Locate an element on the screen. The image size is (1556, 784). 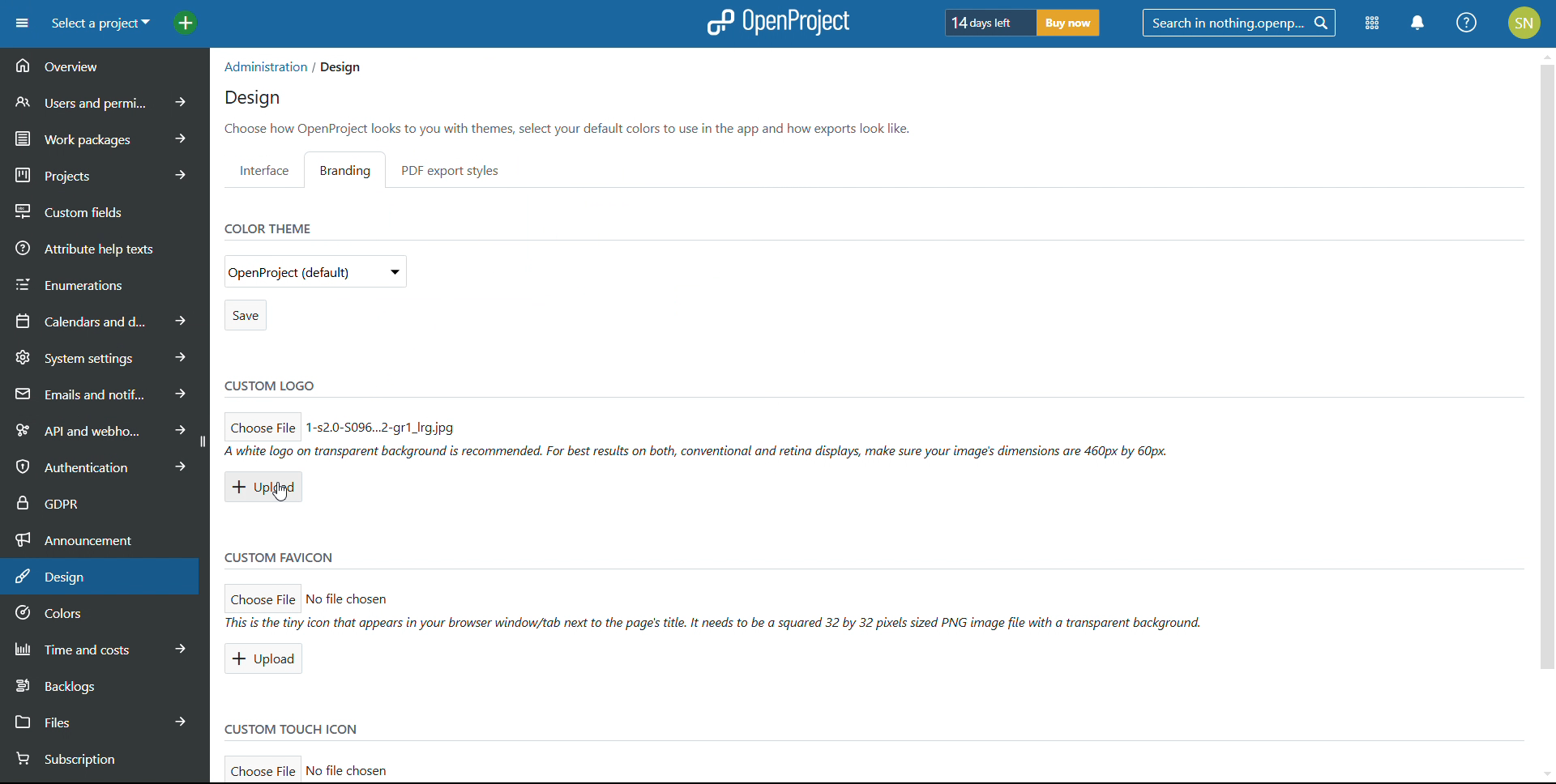
api and webhooks is located at coordinates (96, 428).